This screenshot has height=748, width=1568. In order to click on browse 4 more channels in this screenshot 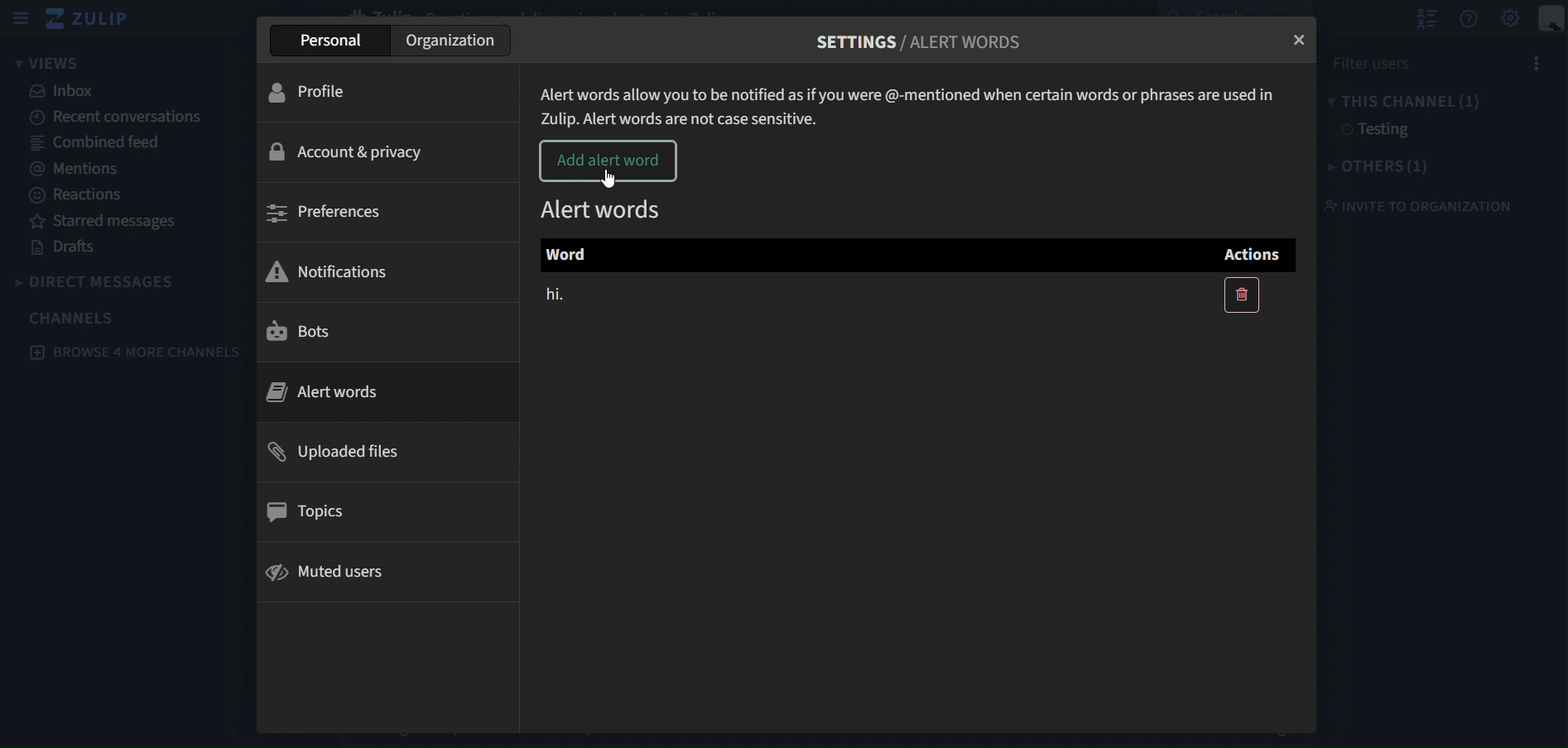, I will do `click(135, 351)`.